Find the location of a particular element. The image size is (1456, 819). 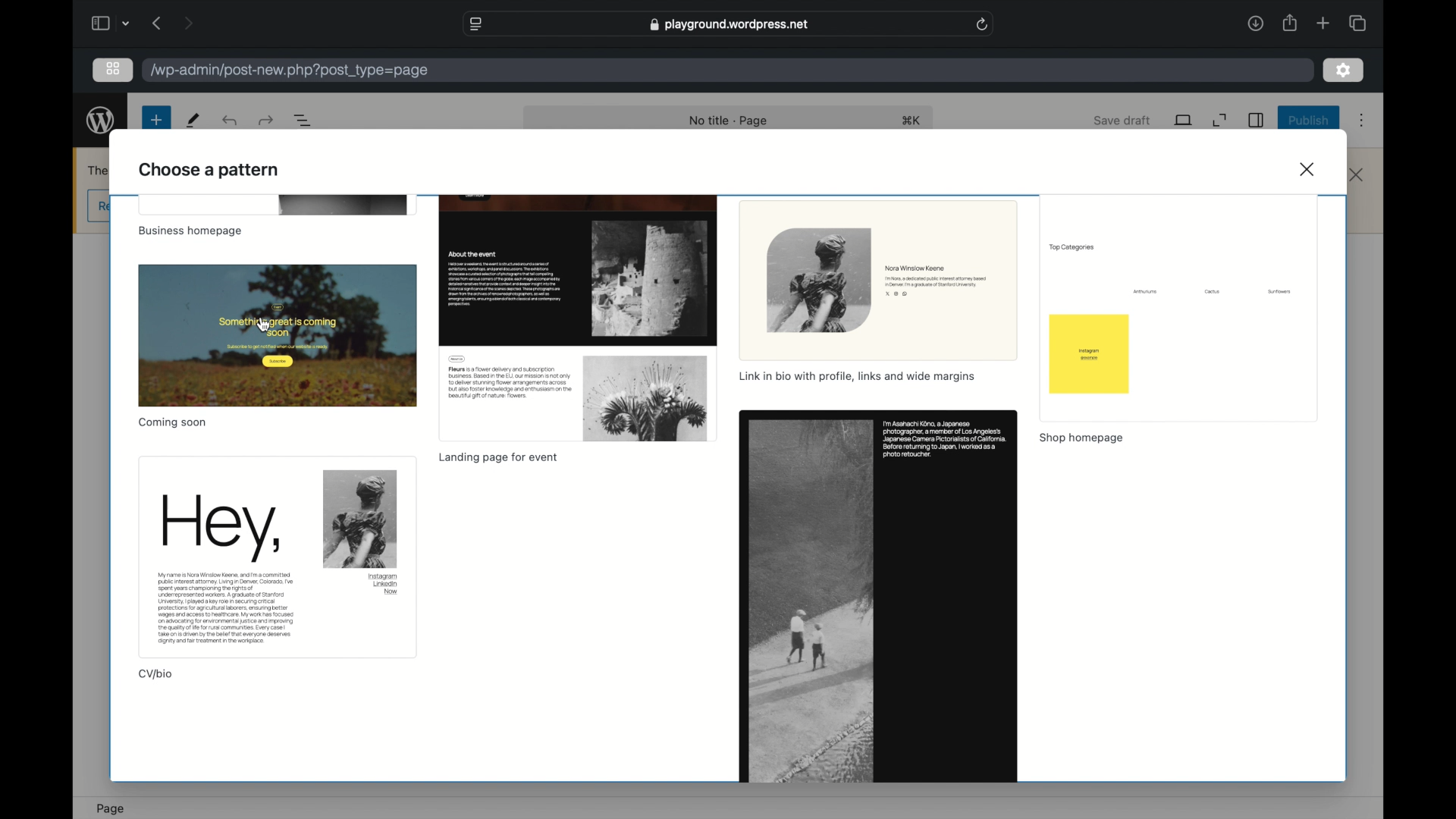

no title -page is located at coordinates (730, 122).